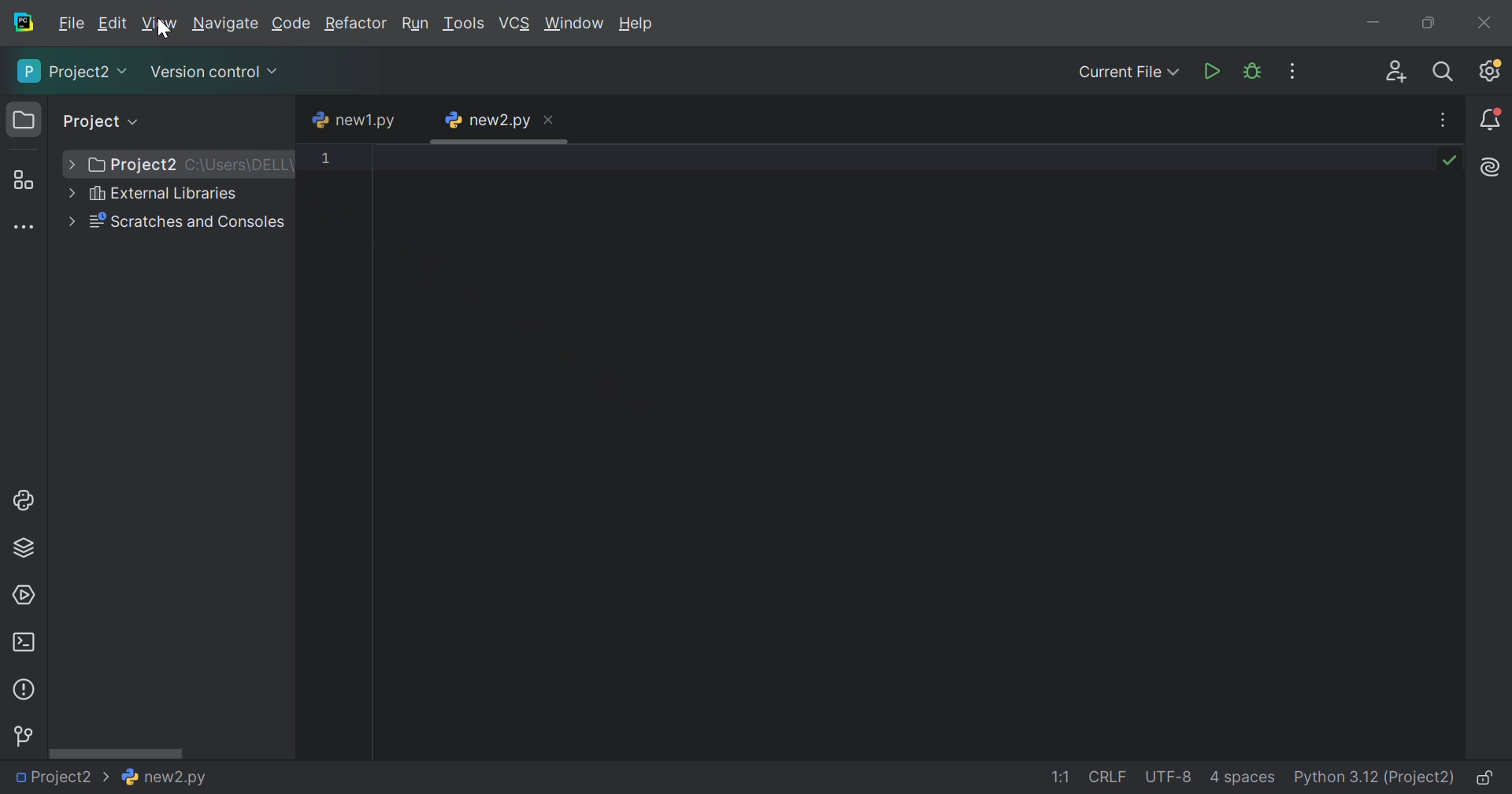  I want to click on More, so click(73, 165).